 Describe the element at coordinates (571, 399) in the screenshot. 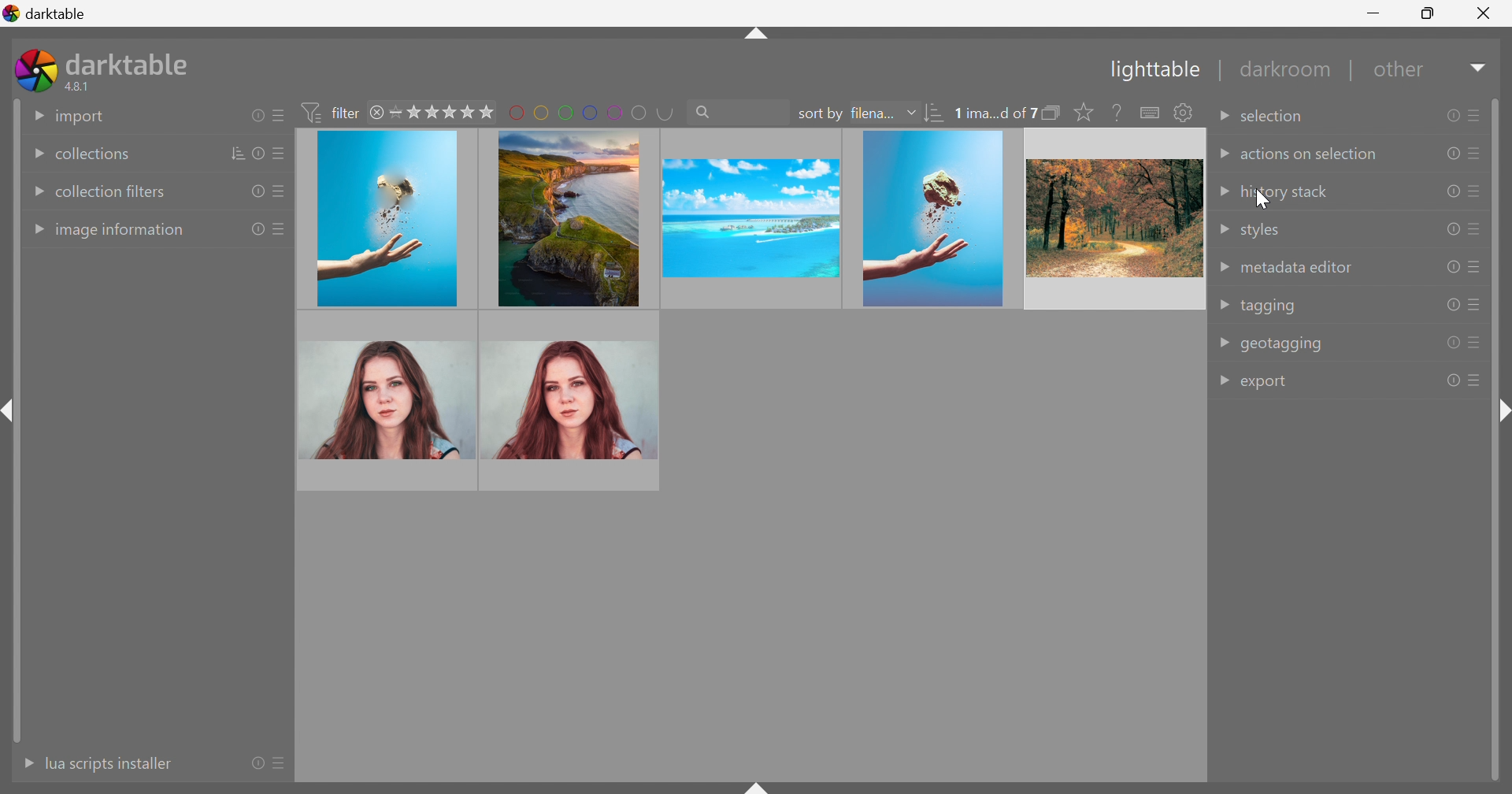

I see `image` at that location.